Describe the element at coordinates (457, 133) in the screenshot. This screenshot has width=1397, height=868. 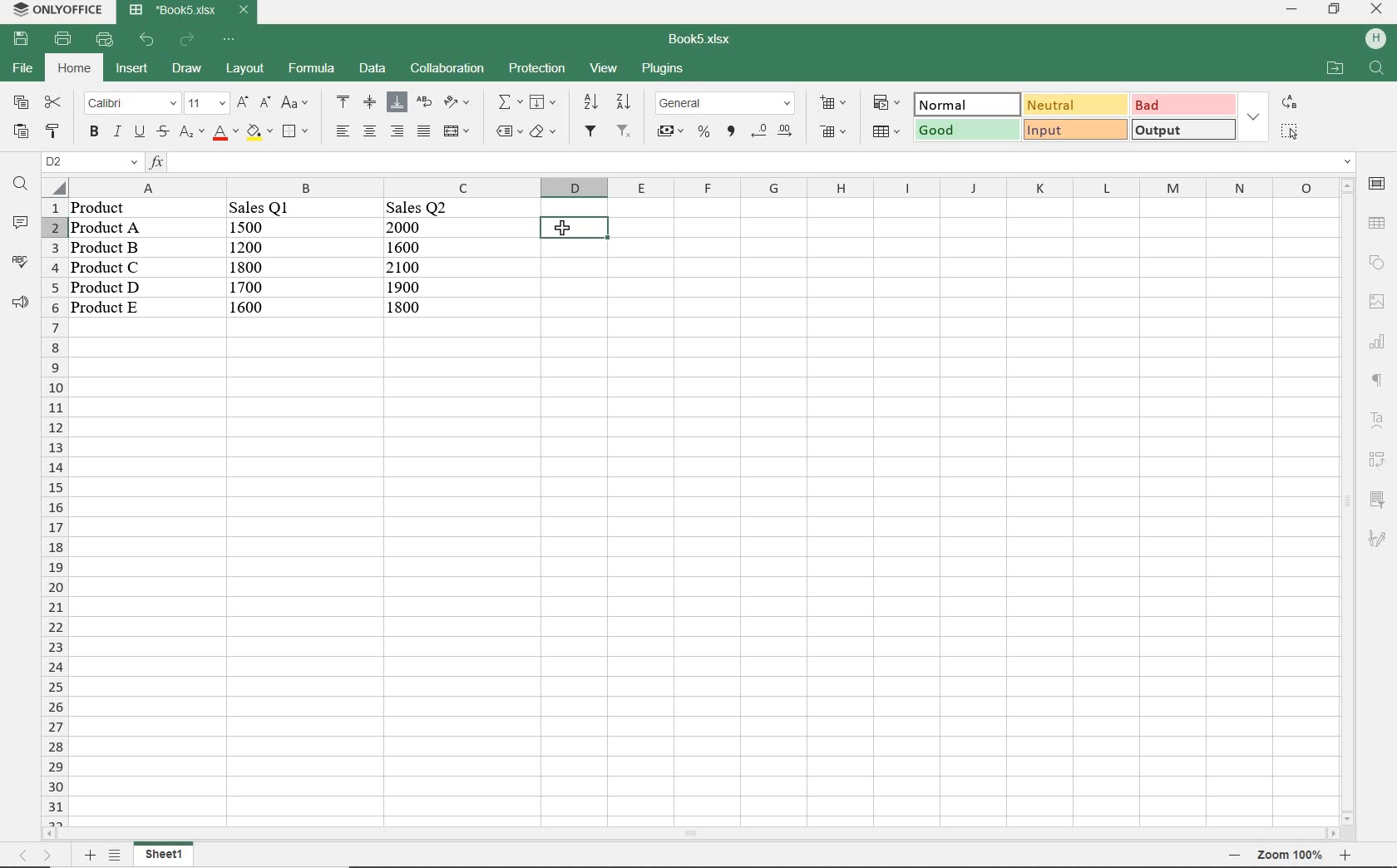
I see `merge & center` at that location.